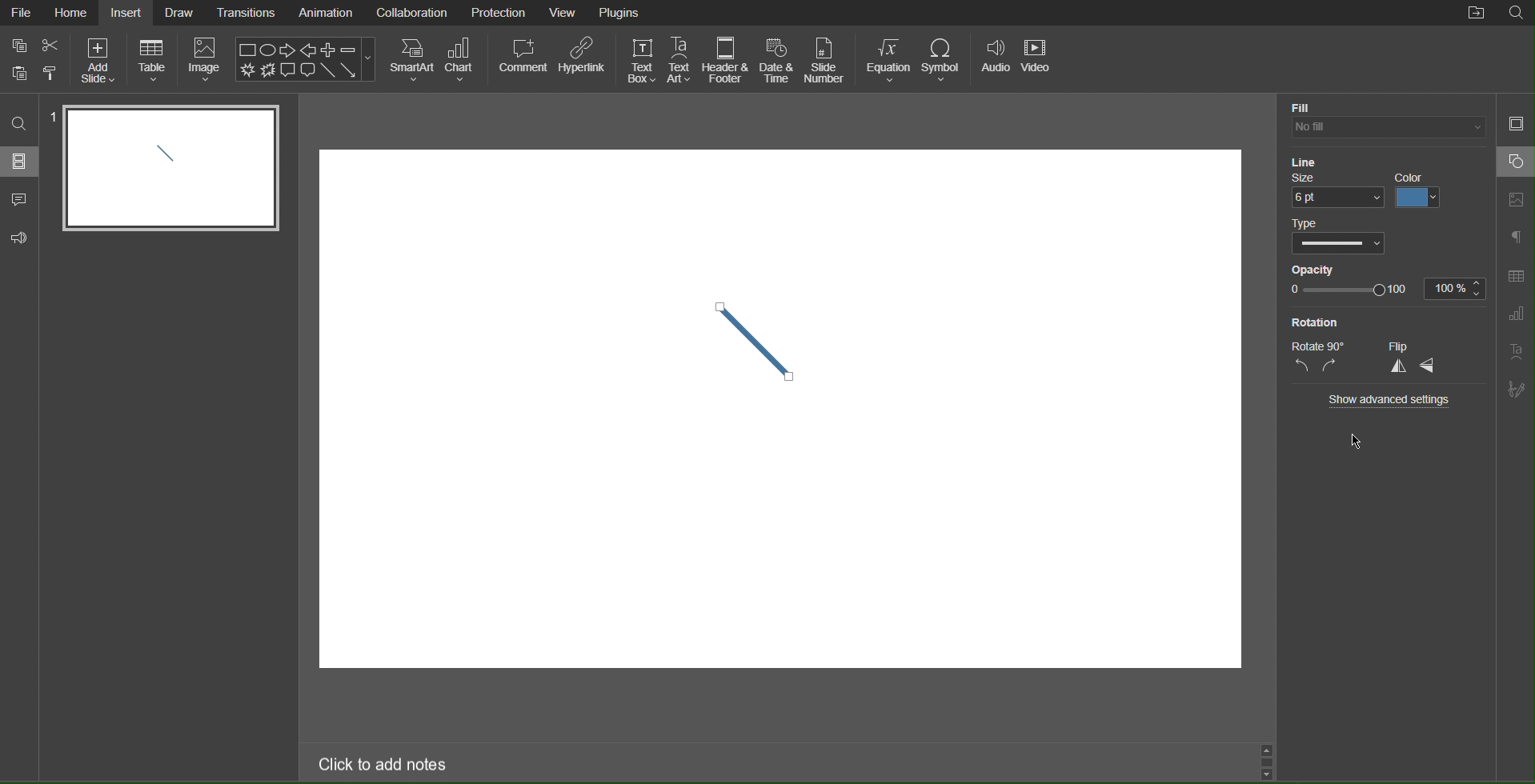  Describe the element at coordinates (16, 44) in the screenshot. I see `Copy` at that location.